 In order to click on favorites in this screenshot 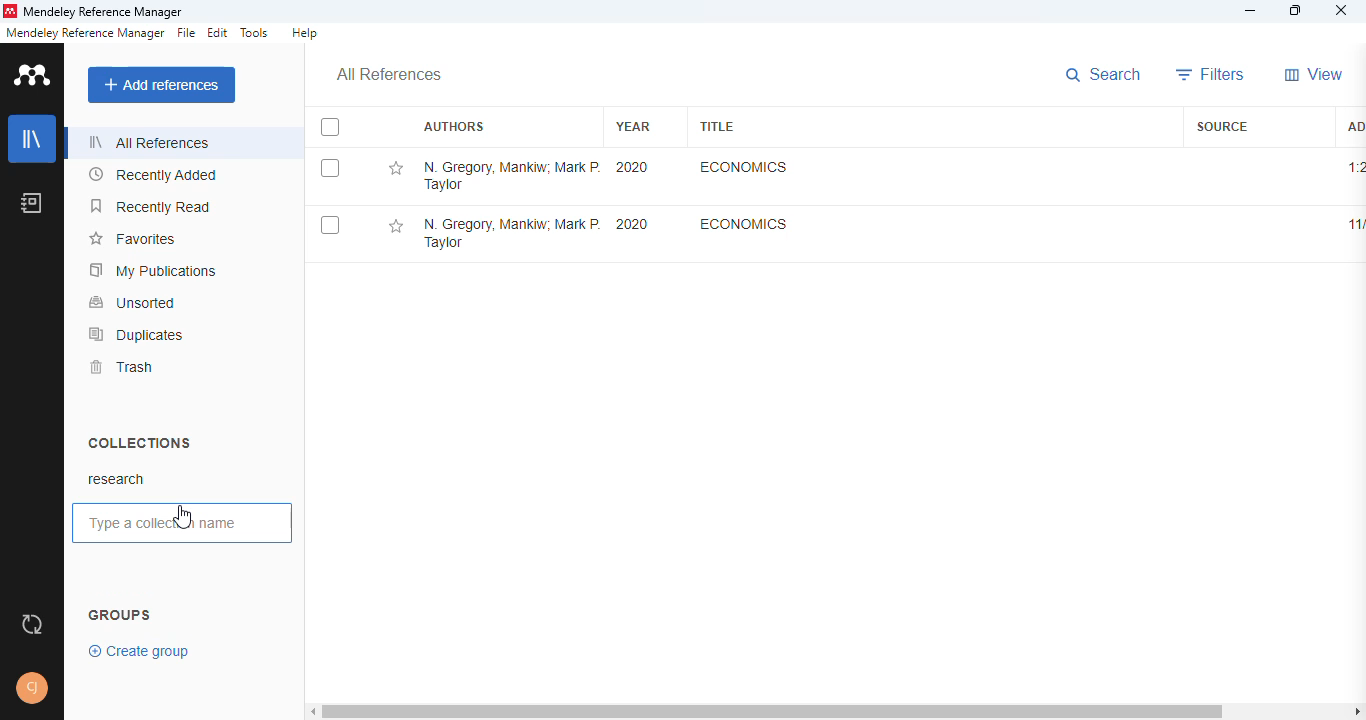, I will do `click(131, 239)`.